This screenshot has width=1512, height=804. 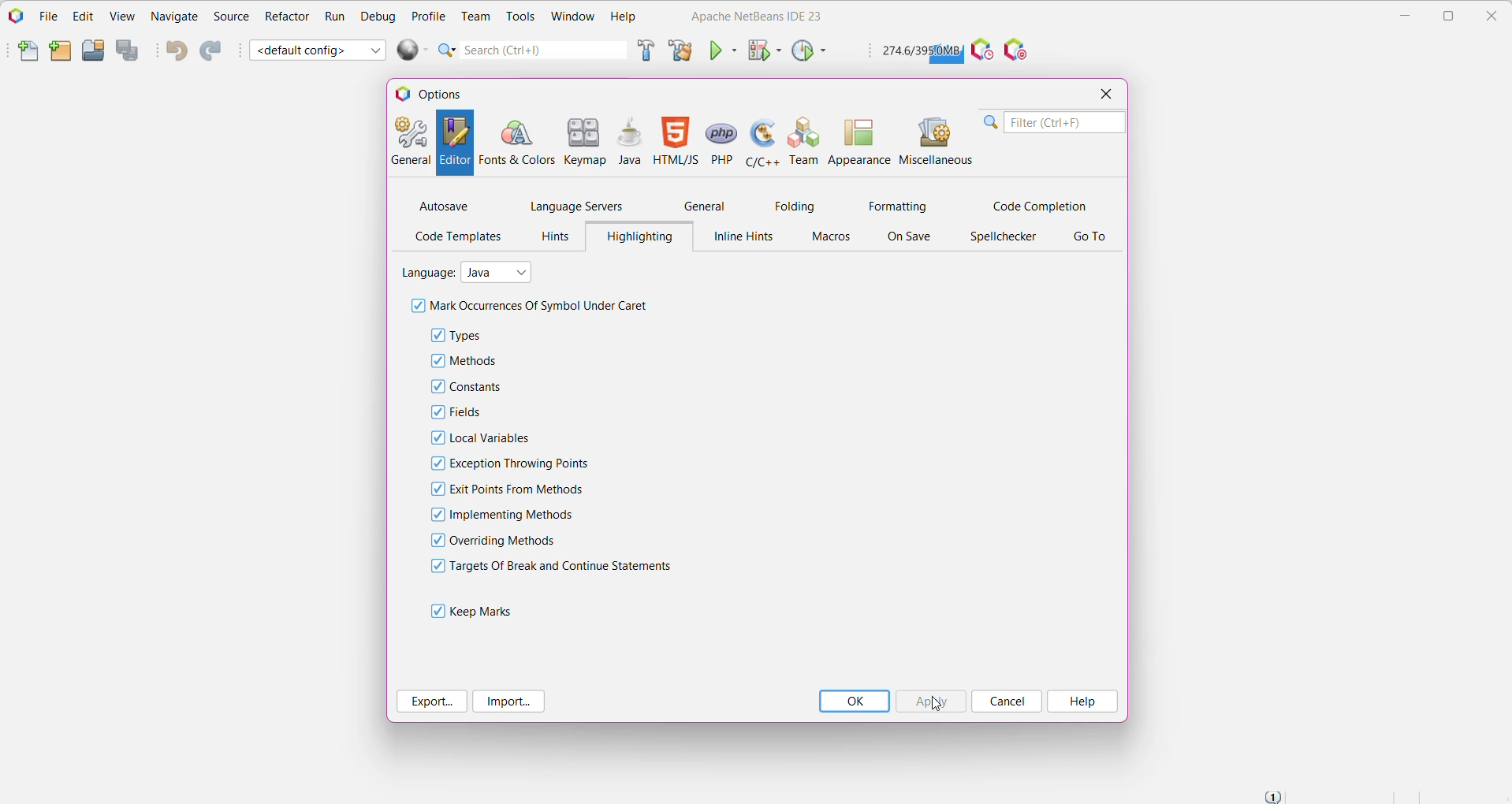 What do you see at coordinates (435, 463) in the screenshot?
I see `checkbox` at bounding box center [435, 463].